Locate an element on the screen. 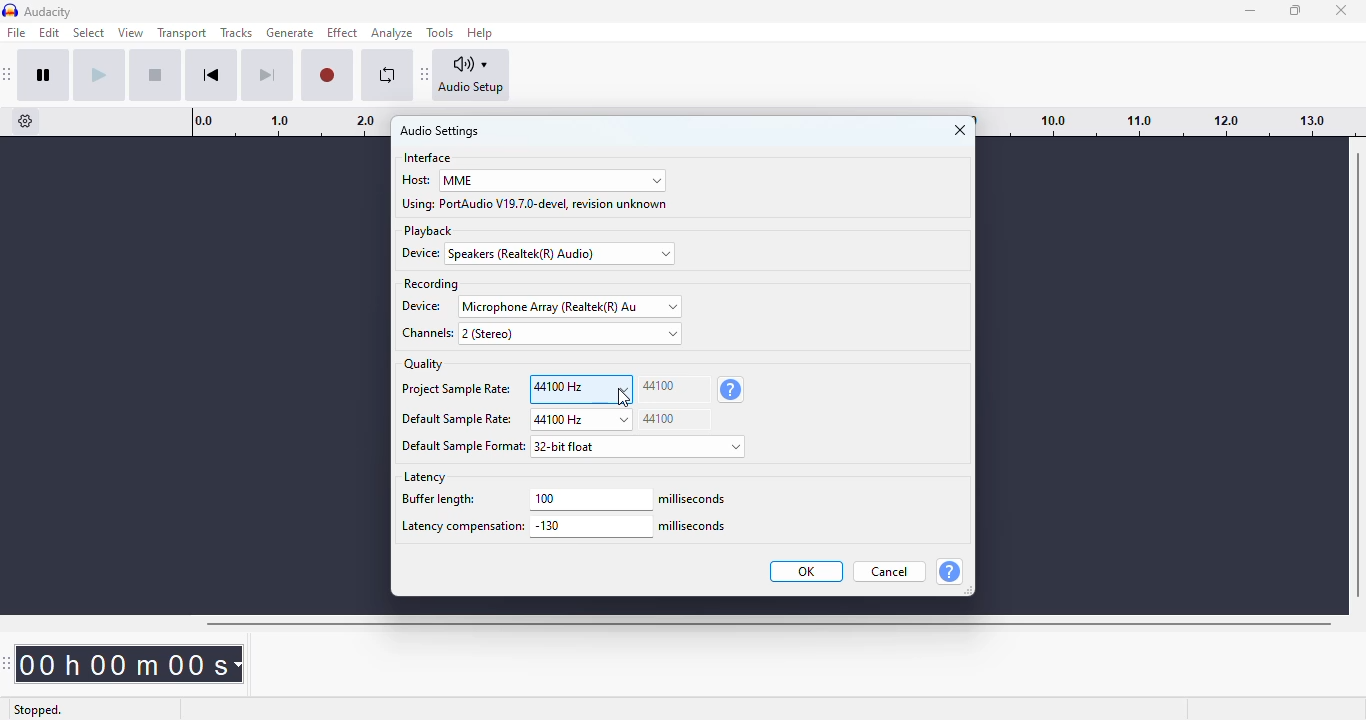 This screenshot has height=720, width=1366. horizontal scroll bar is located at coordinates (768, 624).